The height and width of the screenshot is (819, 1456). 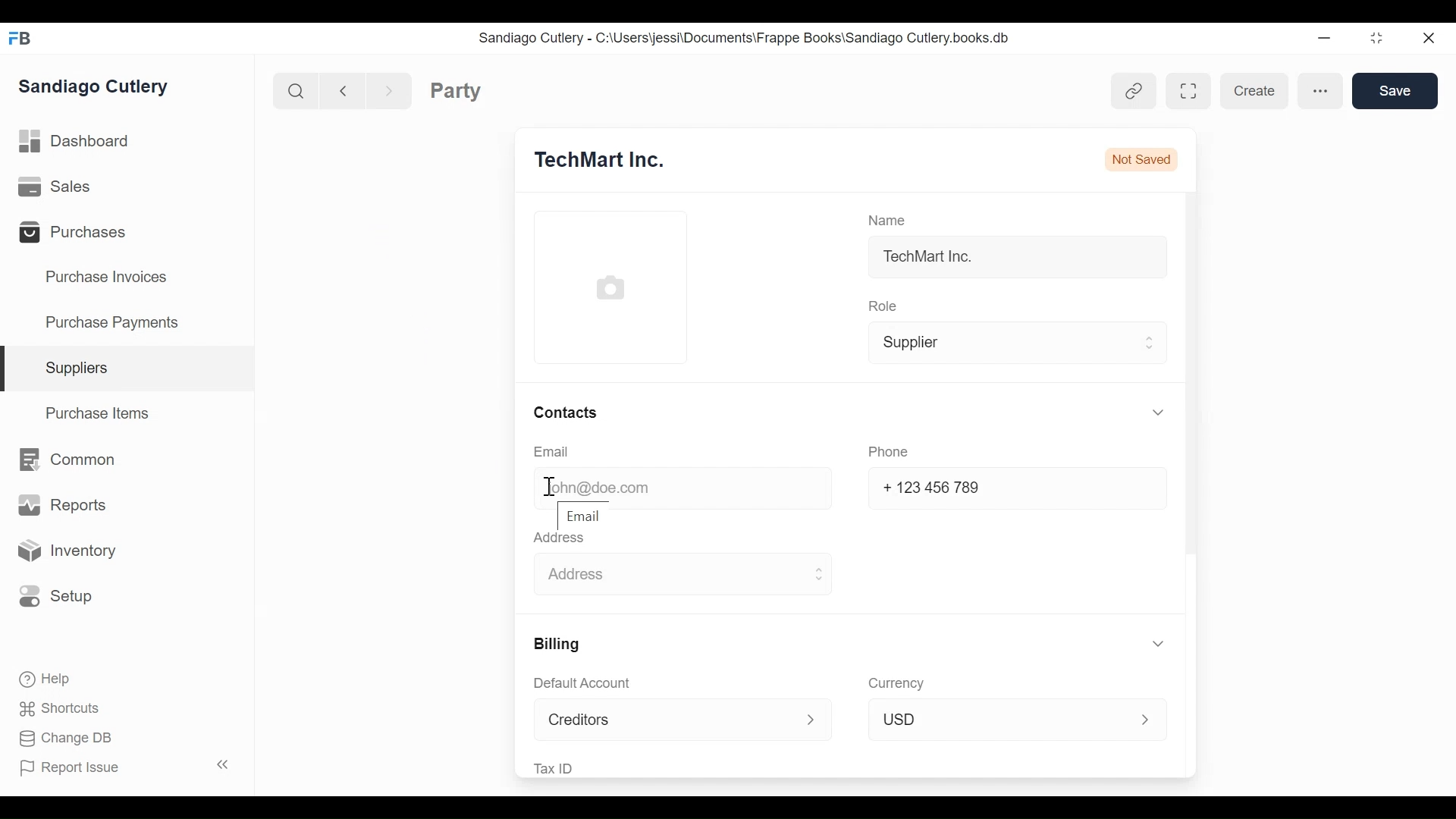 What do you see at coordinates (347, 89) in the screenshot?
I see `back` at bounding box center [347, 89].